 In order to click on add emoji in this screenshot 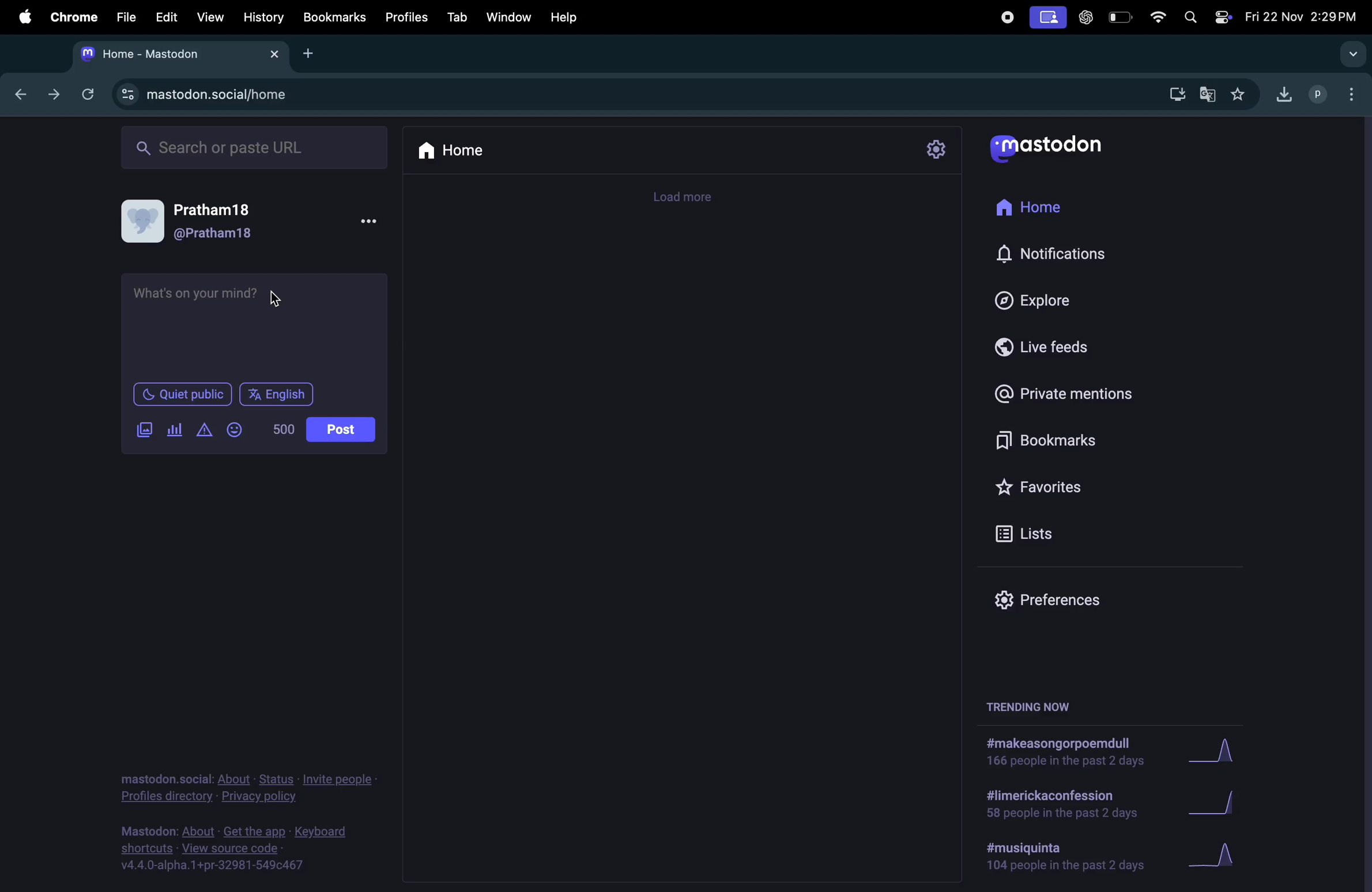, I will do `click(236, 429)`.